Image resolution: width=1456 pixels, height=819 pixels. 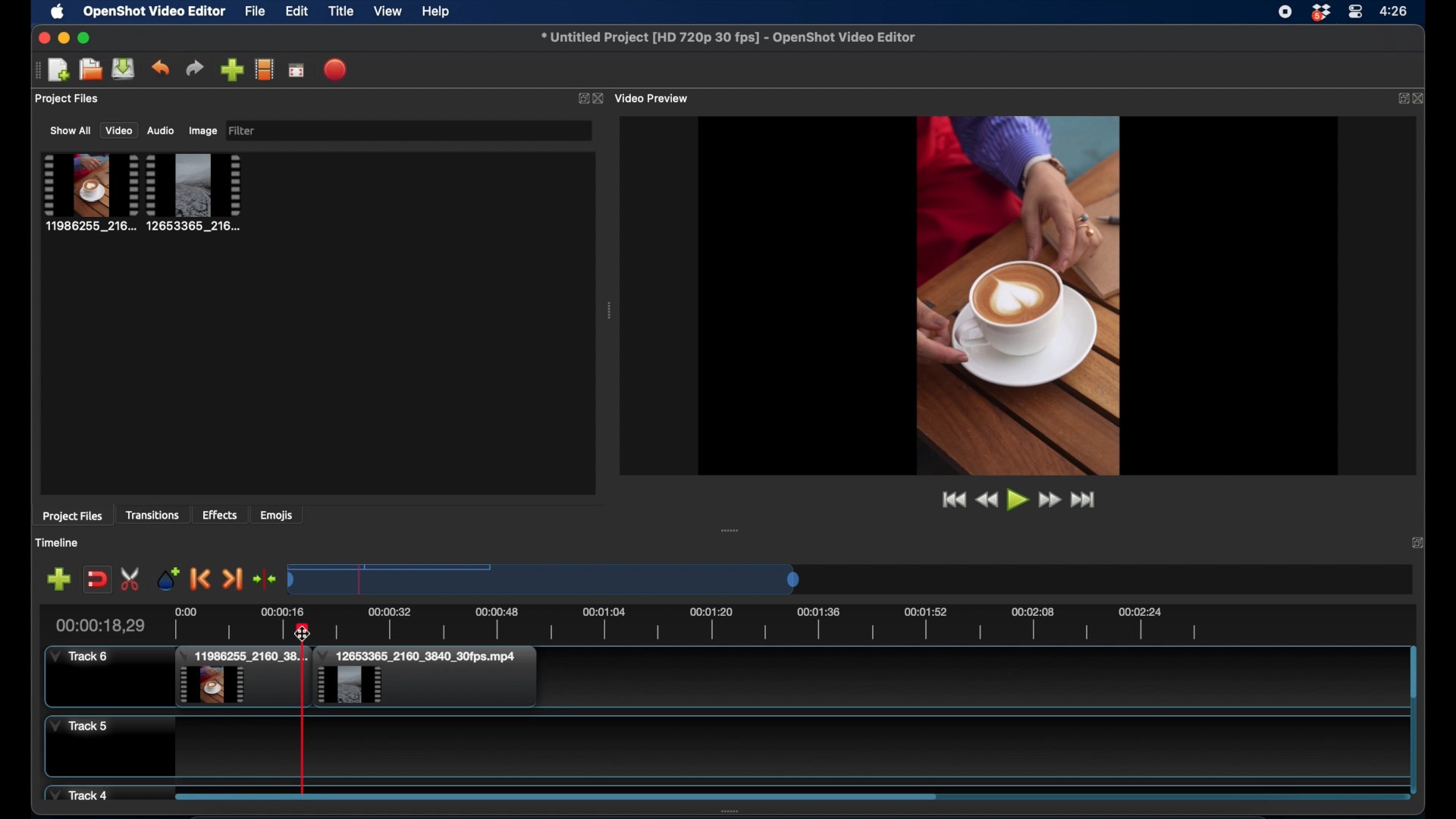 I want to click on close, so click(x=1422, y=98).